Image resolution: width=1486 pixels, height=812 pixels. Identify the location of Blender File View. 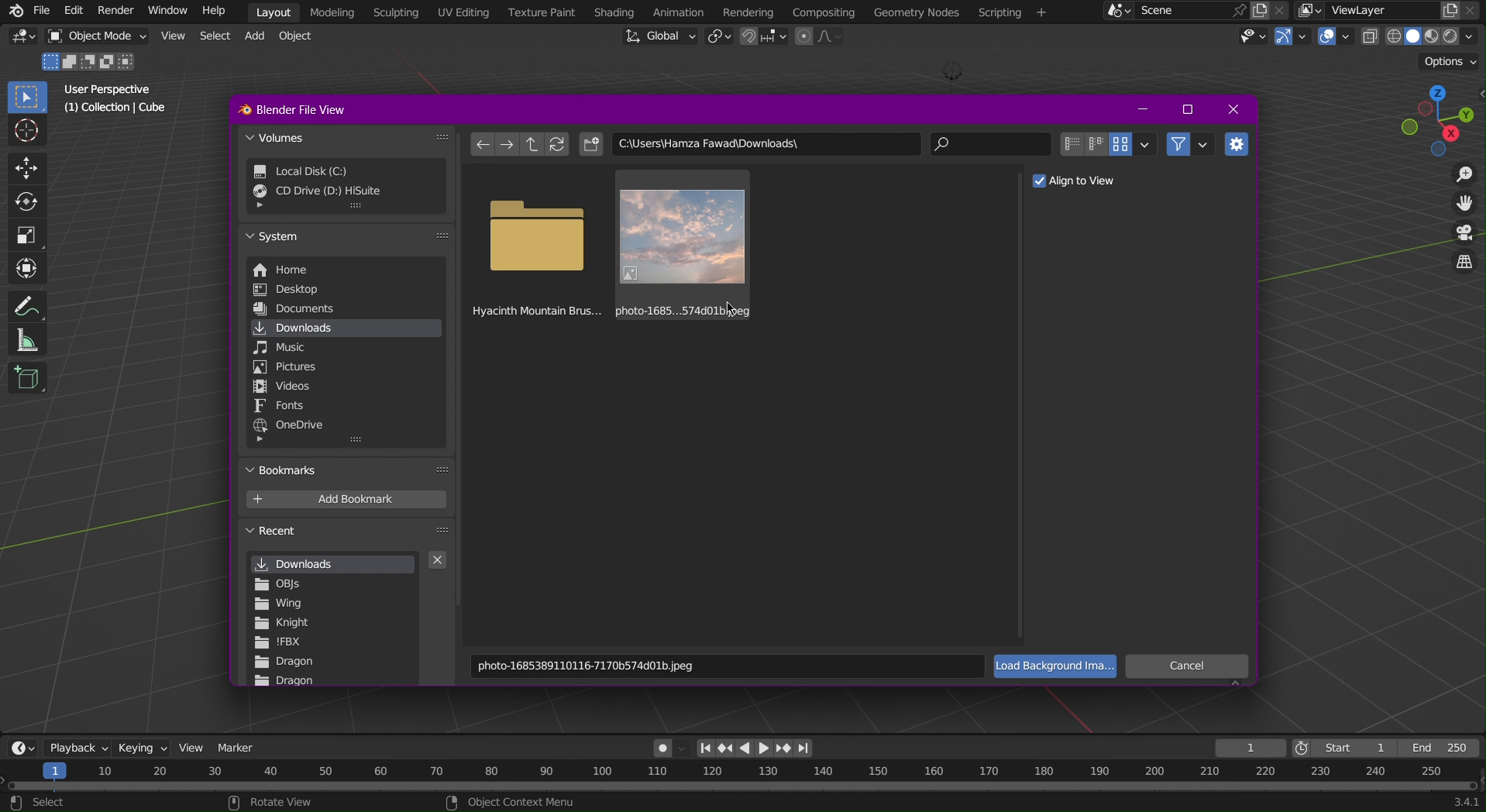
(310, 106).